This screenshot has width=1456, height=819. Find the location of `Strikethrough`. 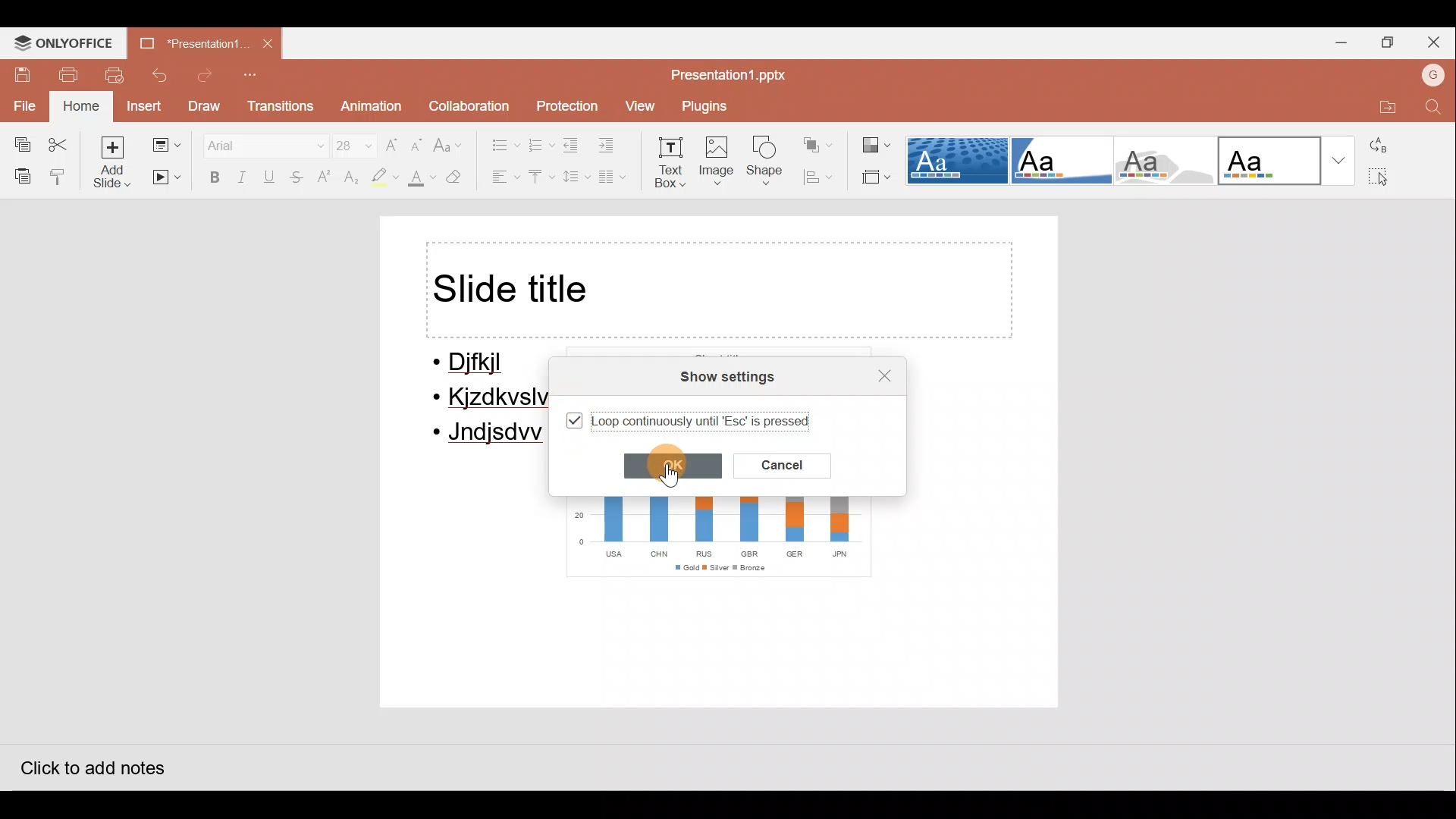

Strikethrough is located at coordinates (293, 177).